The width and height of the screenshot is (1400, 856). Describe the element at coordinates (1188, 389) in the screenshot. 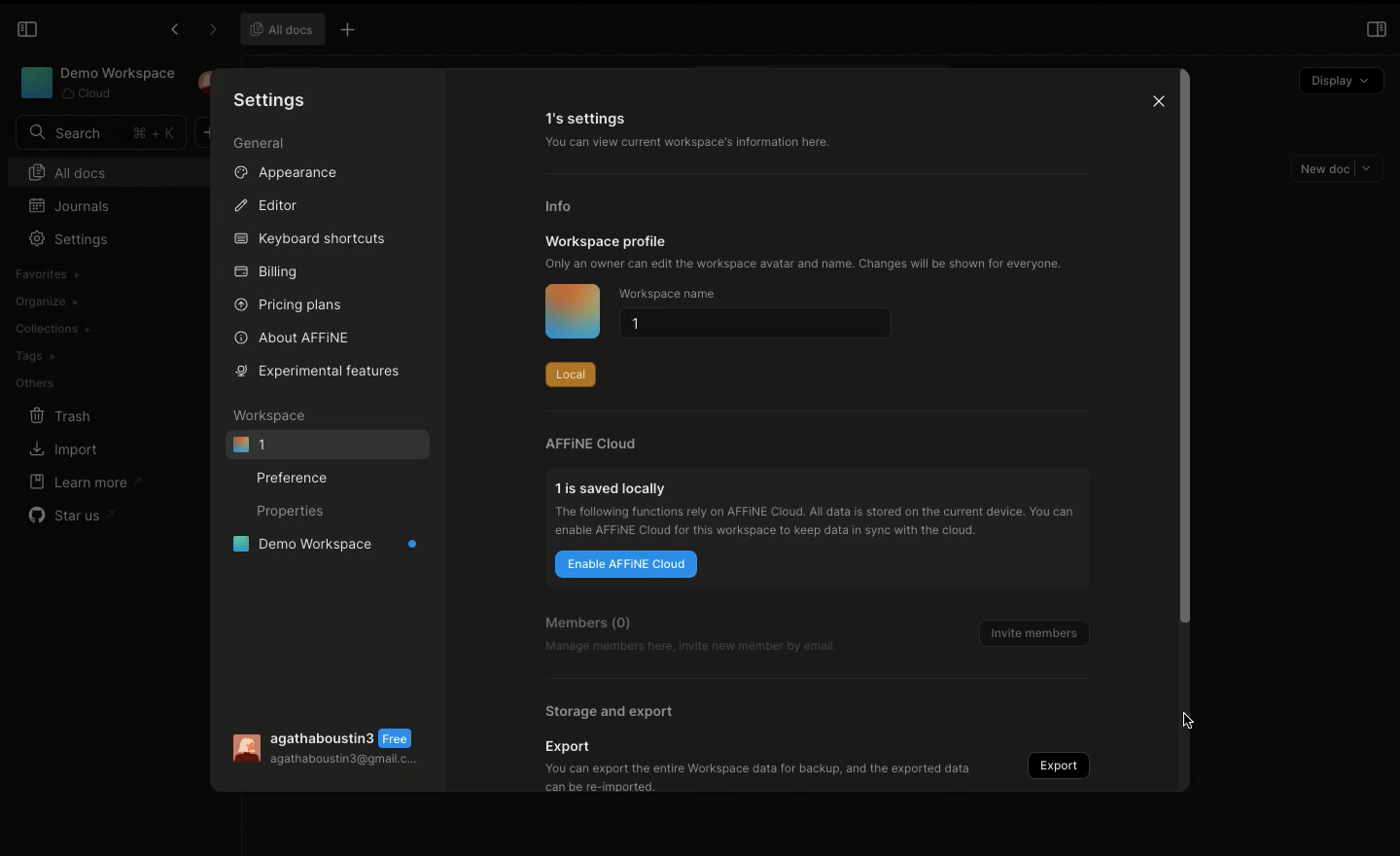

I see `Scroll` at that location.